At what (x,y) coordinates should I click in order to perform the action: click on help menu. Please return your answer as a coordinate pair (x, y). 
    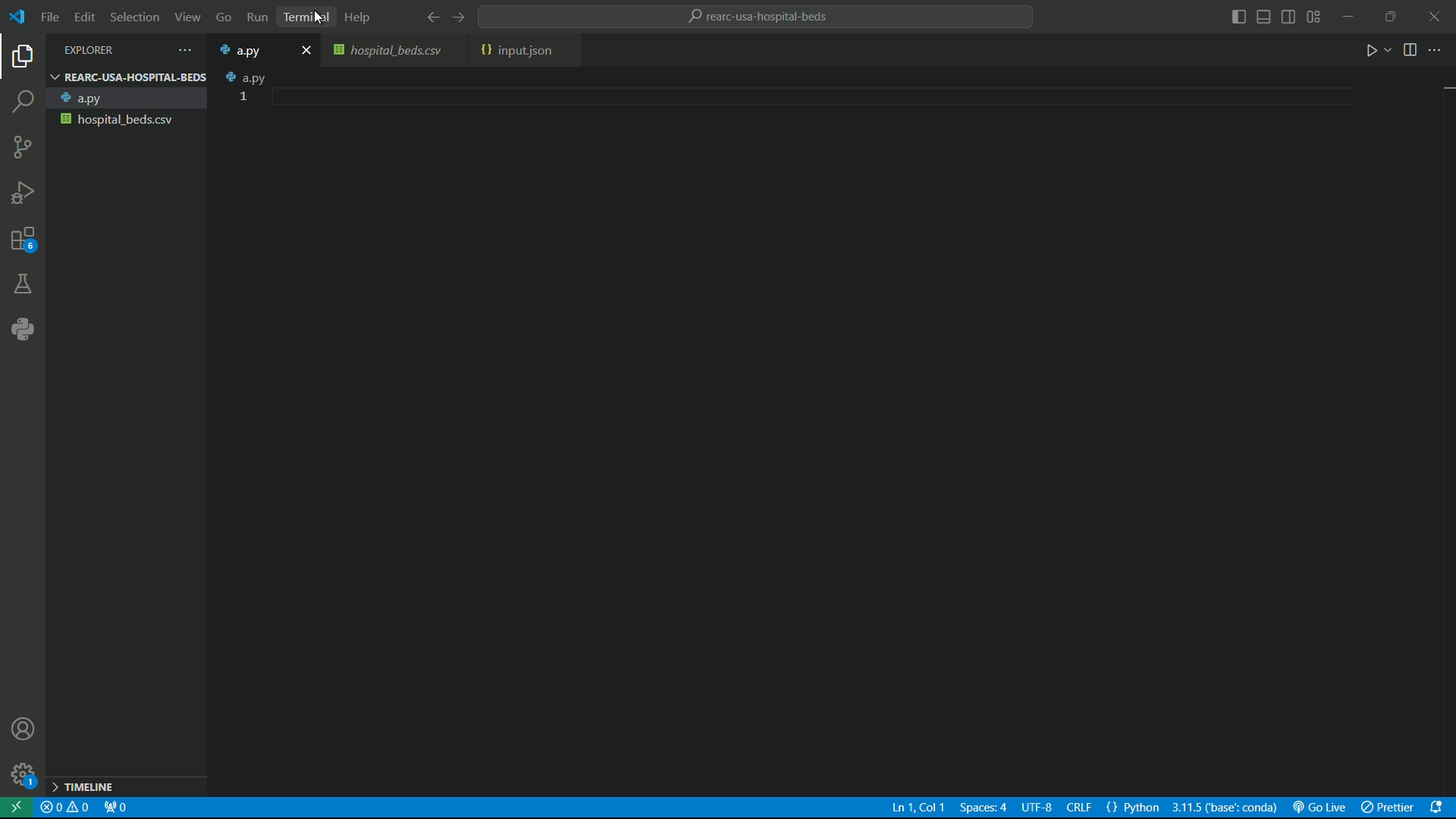
    Looking at the image, I should click on (362, 18).